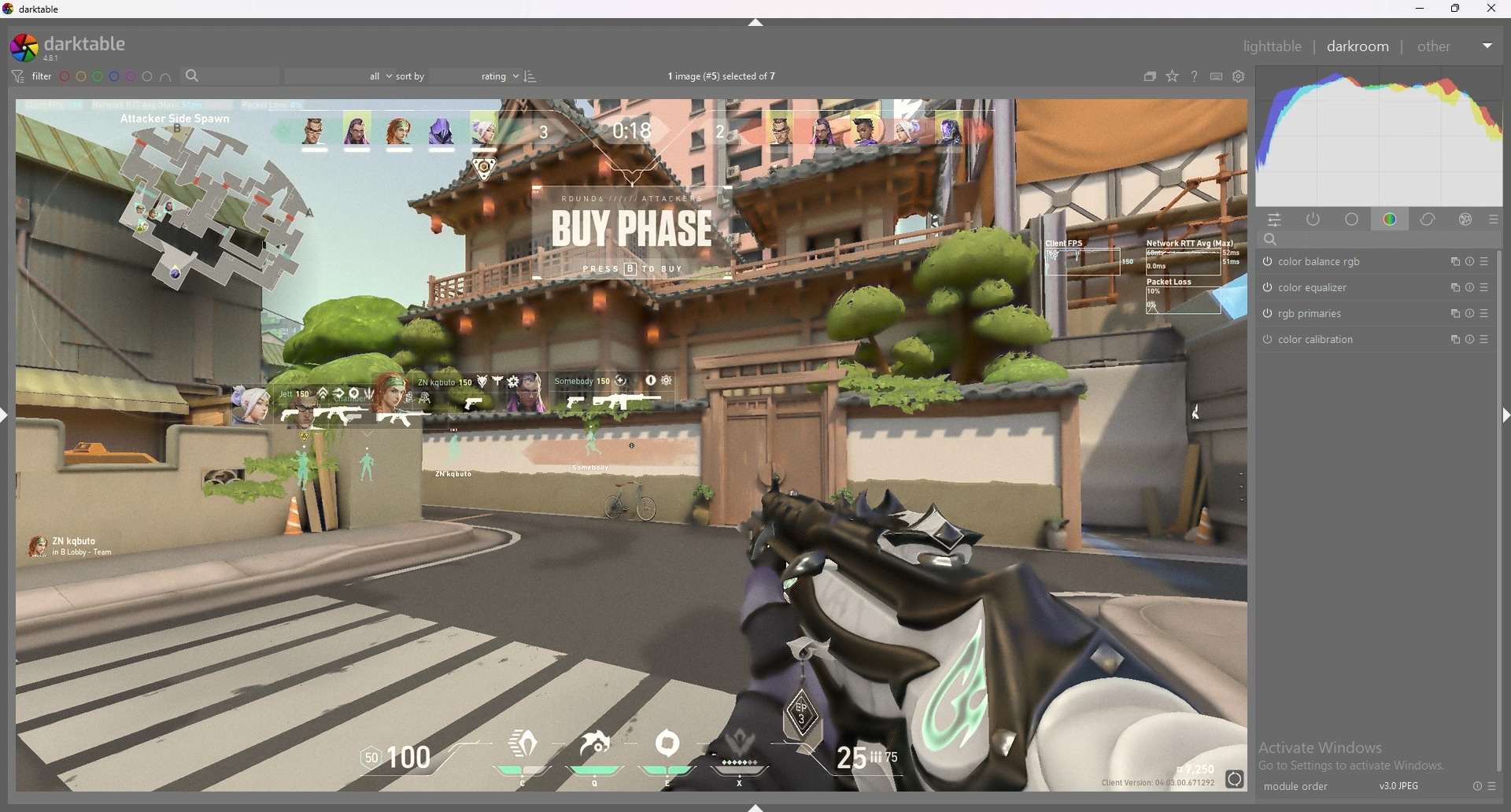 The image size is (1511, 812). Describe the element at coordinates (1484, 261) in the screenshot. I see `presets` at that location.